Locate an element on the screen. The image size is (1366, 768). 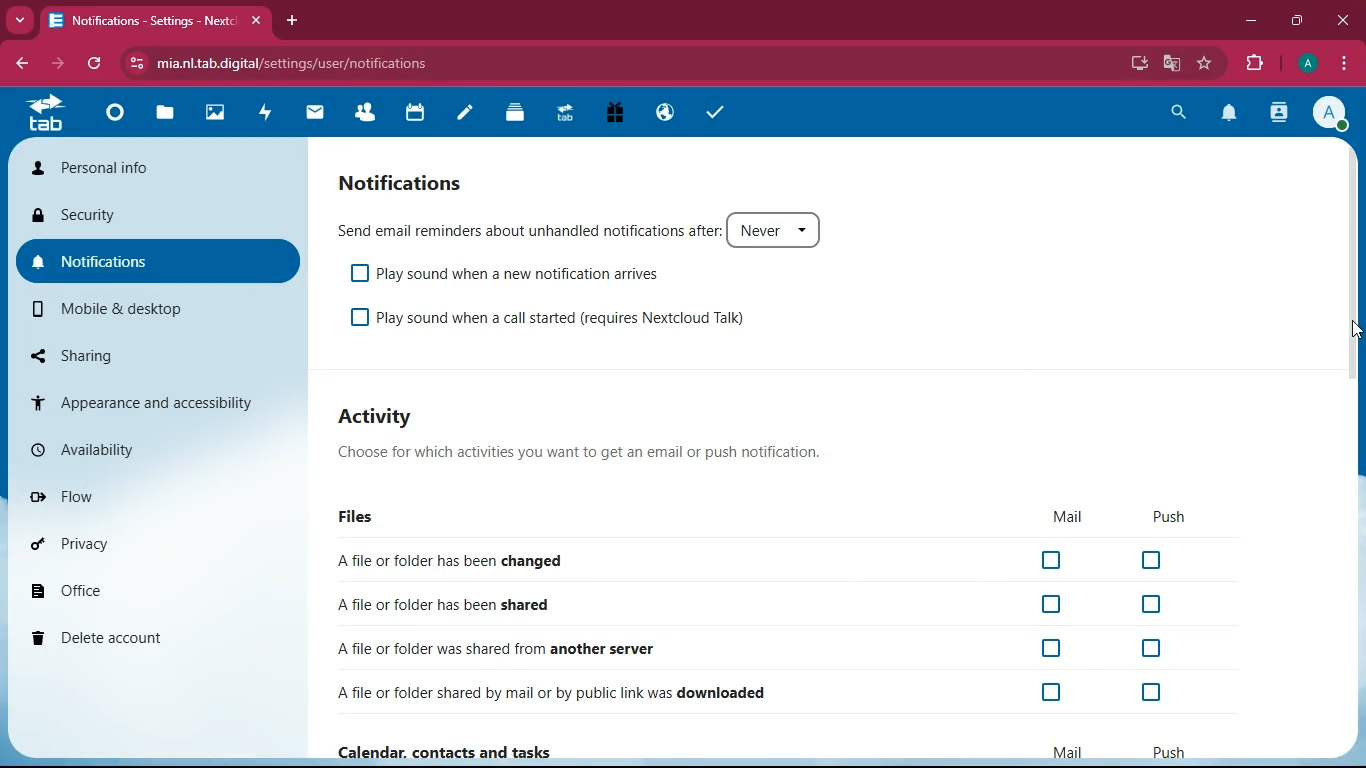
refresh is located at coordinates (95, 65).